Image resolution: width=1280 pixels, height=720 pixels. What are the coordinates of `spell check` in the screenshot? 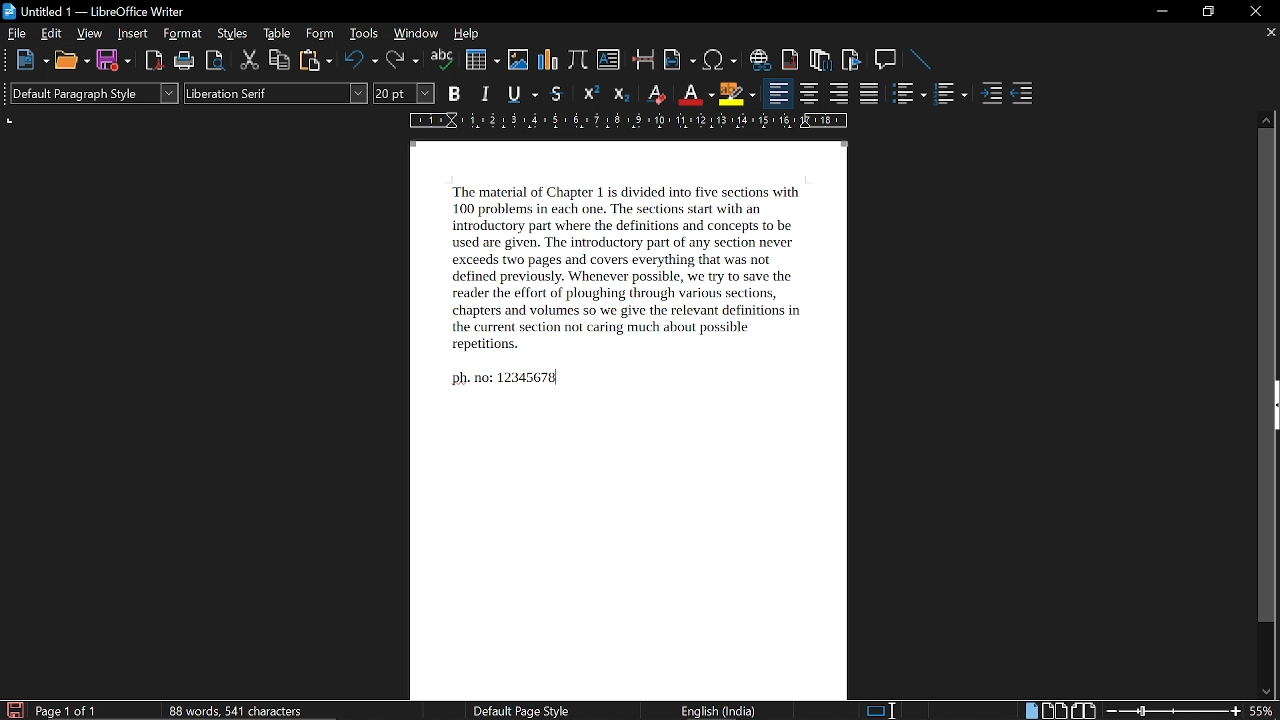 It's located at (443, 61).